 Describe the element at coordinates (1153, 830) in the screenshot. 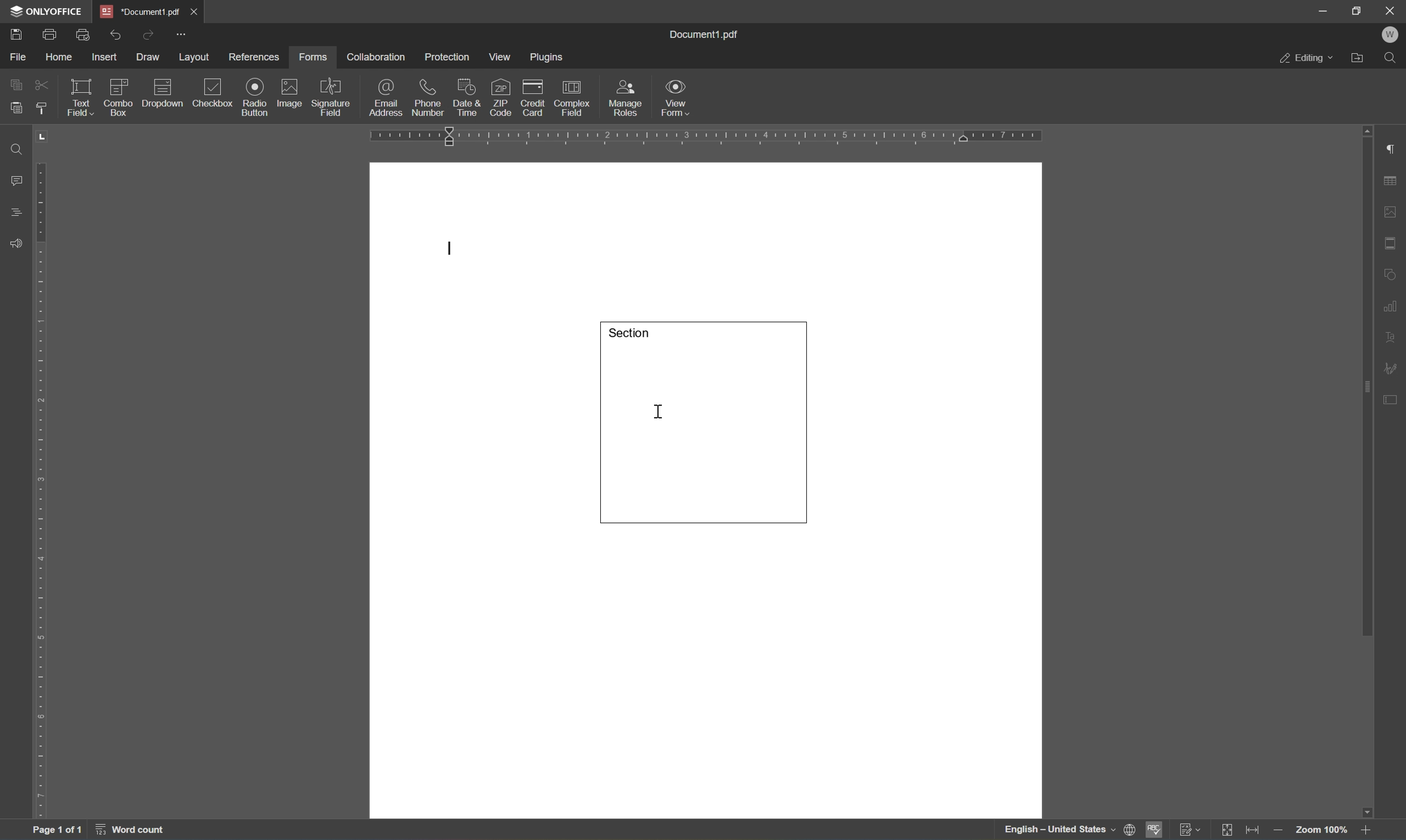

I see `spell checking` at that location.